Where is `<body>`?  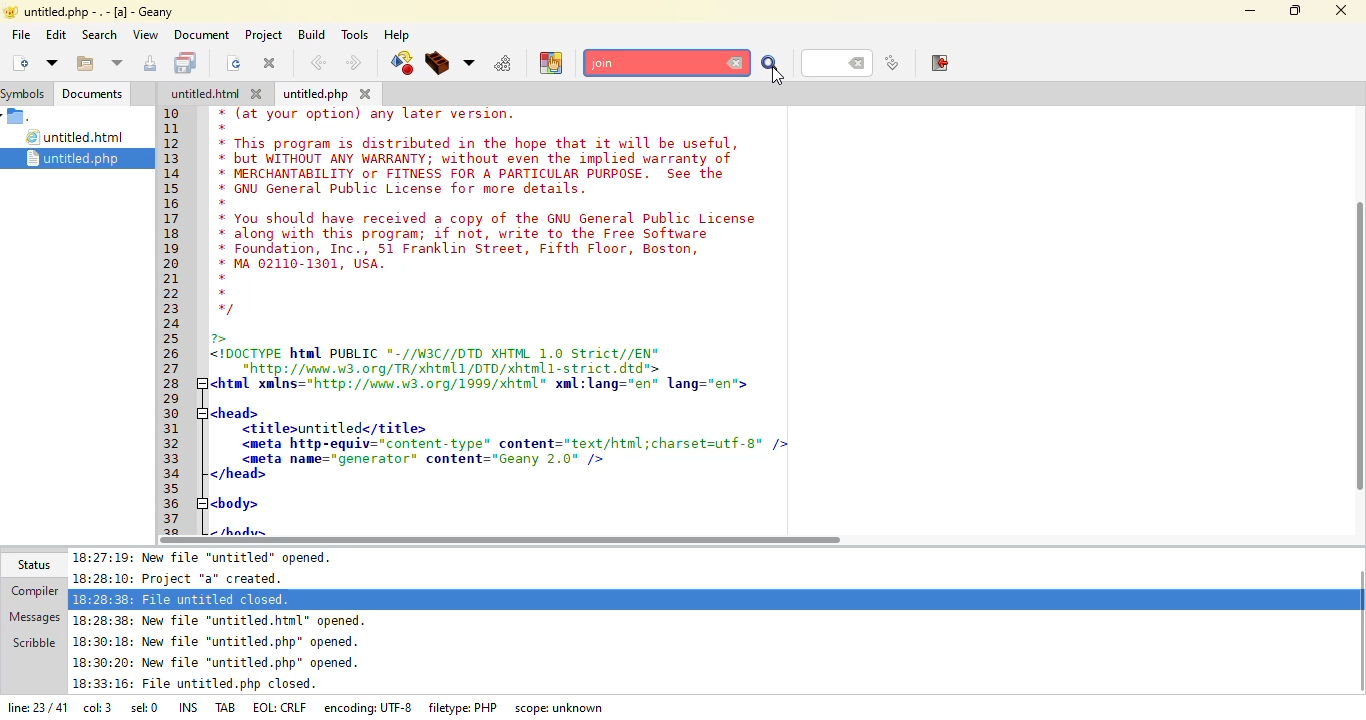 <body> is located at coordinates (236, 502).